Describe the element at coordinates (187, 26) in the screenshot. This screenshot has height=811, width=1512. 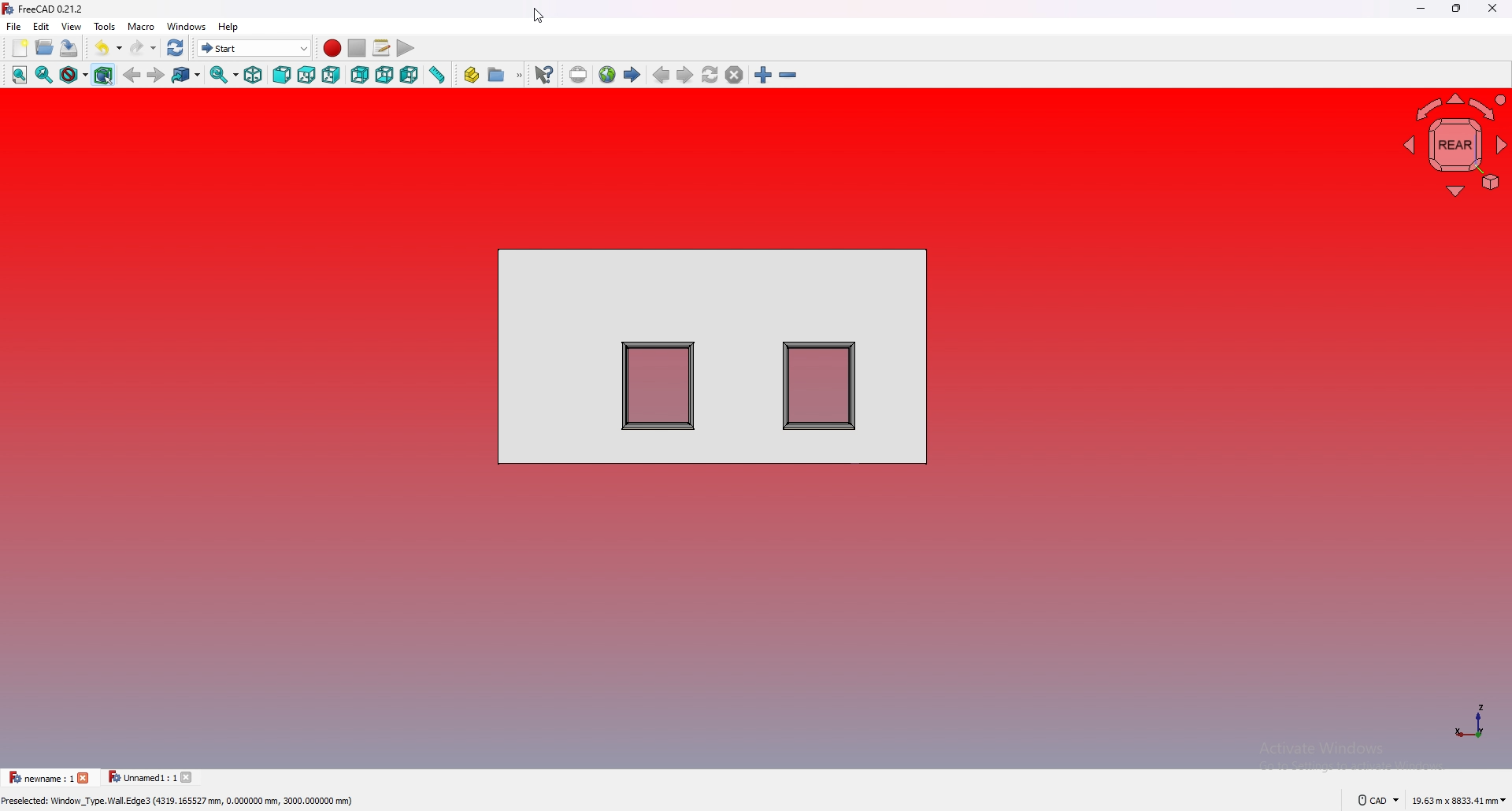
I see `windows` at that location.